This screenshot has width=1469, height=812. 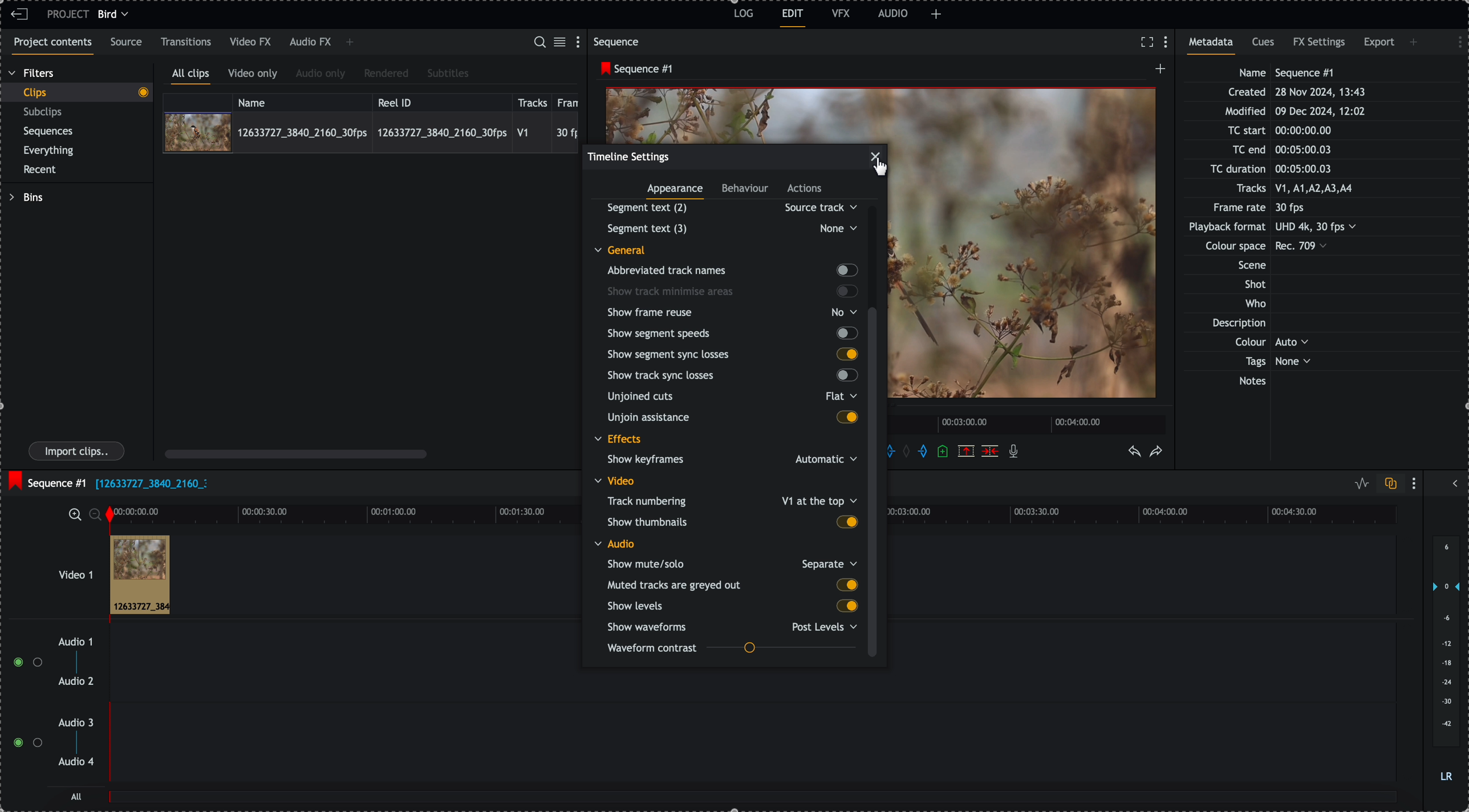 What do you see at coordinates (75, 762) in the screenshot?
I see `audio 4` at bounding box center [75, 762].